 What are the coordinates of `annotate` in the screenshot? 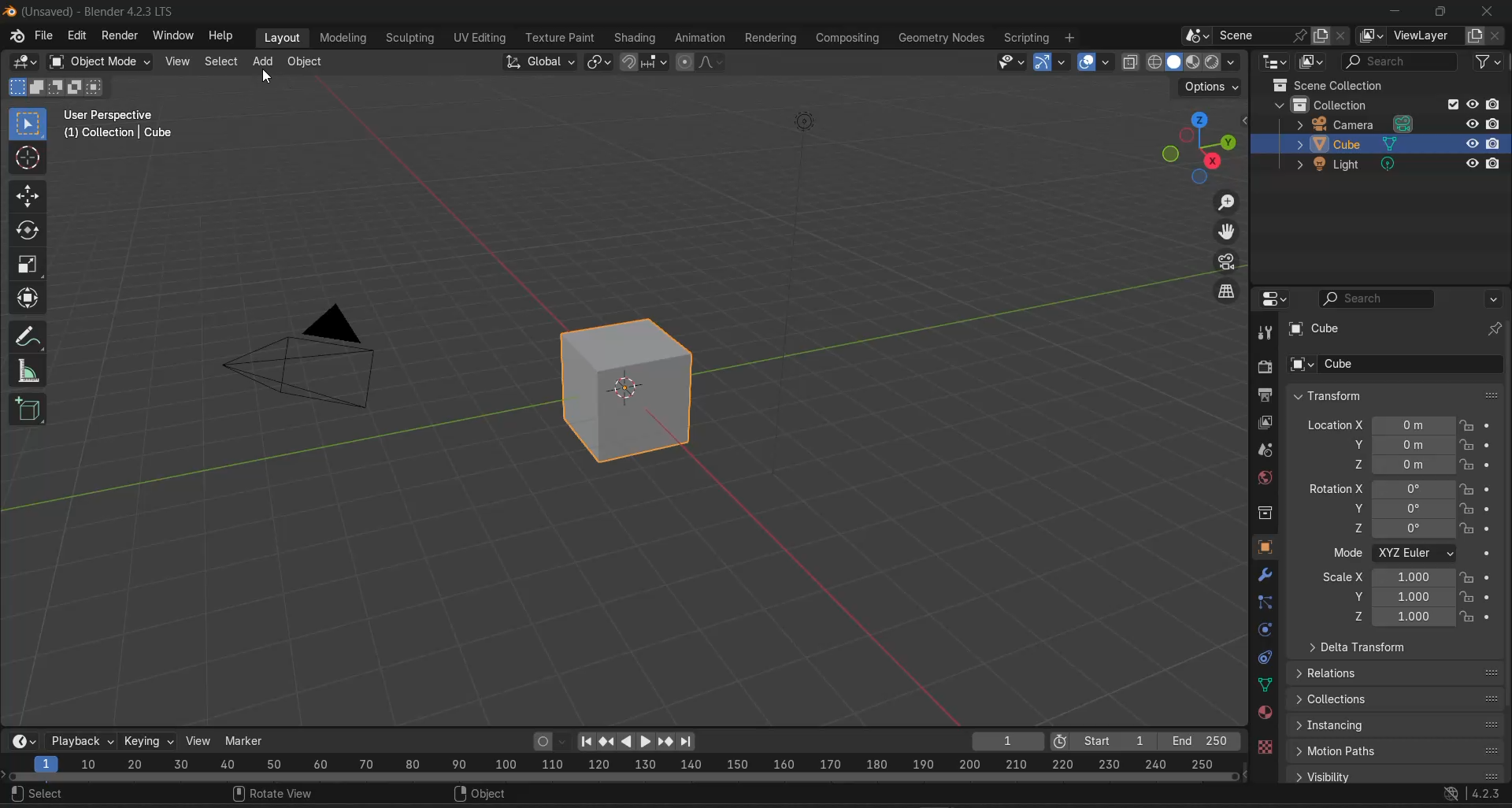 It's located at (32, 337).